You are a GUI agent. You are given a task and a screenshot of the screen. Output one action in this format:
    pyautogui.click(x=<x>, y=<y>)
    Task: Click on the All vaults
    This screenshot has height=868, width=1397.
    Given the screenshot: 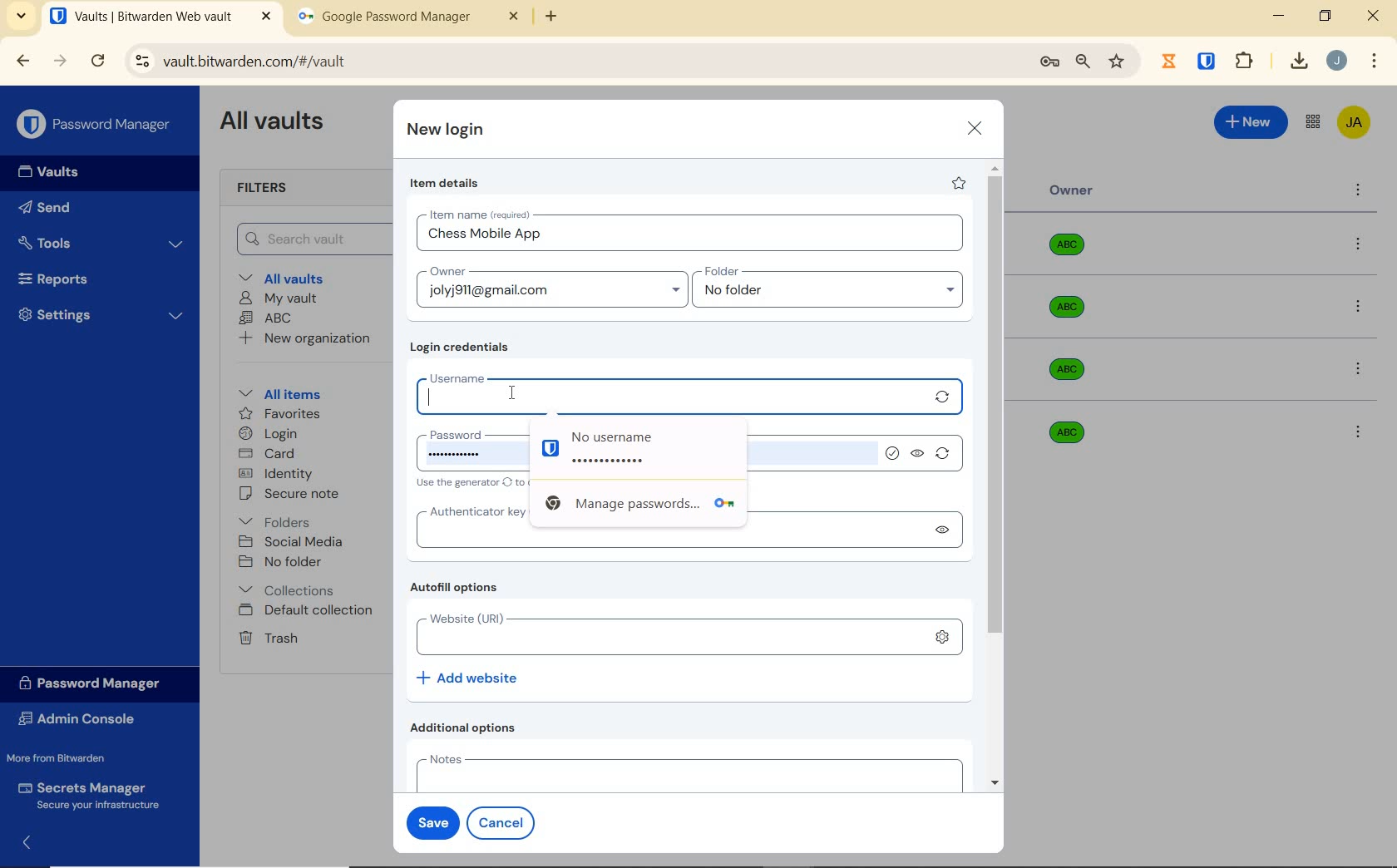 What is the action you would take?
    pyautogui.click(x=288, y=277)
    